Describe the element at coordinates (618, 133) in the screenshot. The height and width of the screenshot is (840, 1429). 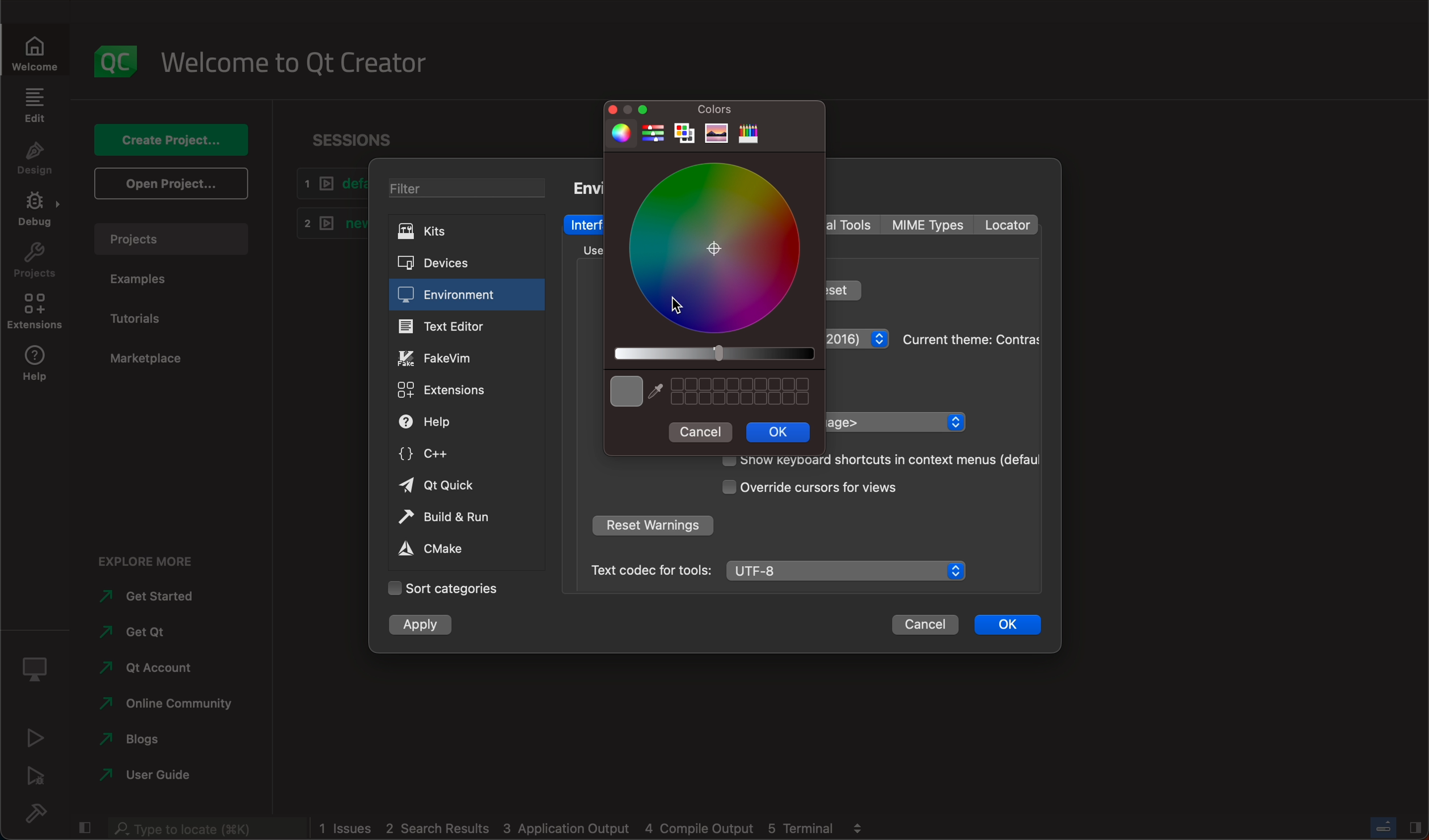
I see `color circle` at that location.